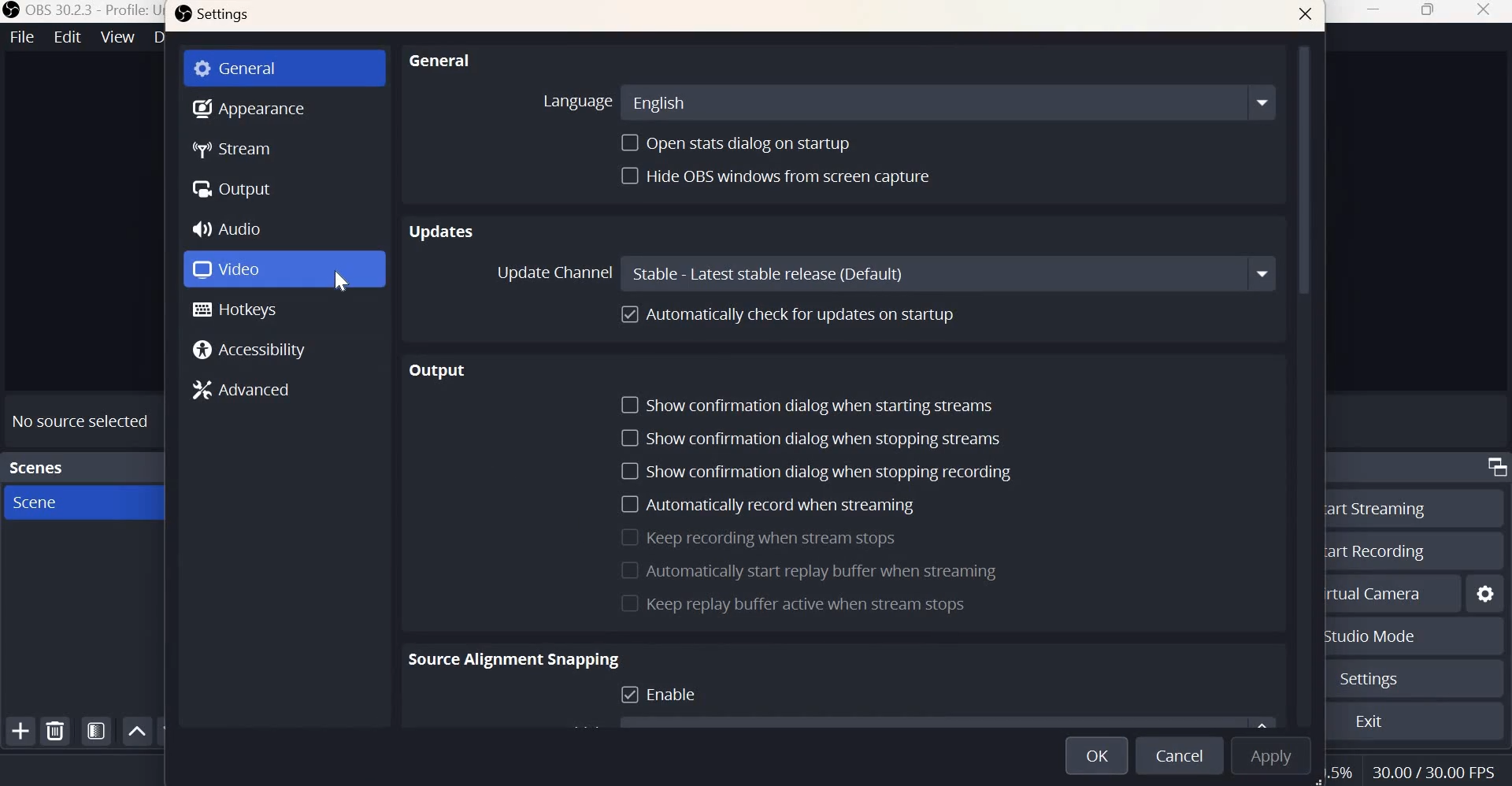 This screenshot has height=786, width=1512. Describe the element at coordinates (658, 694) in the screenshot. I see `Enable` at that location.